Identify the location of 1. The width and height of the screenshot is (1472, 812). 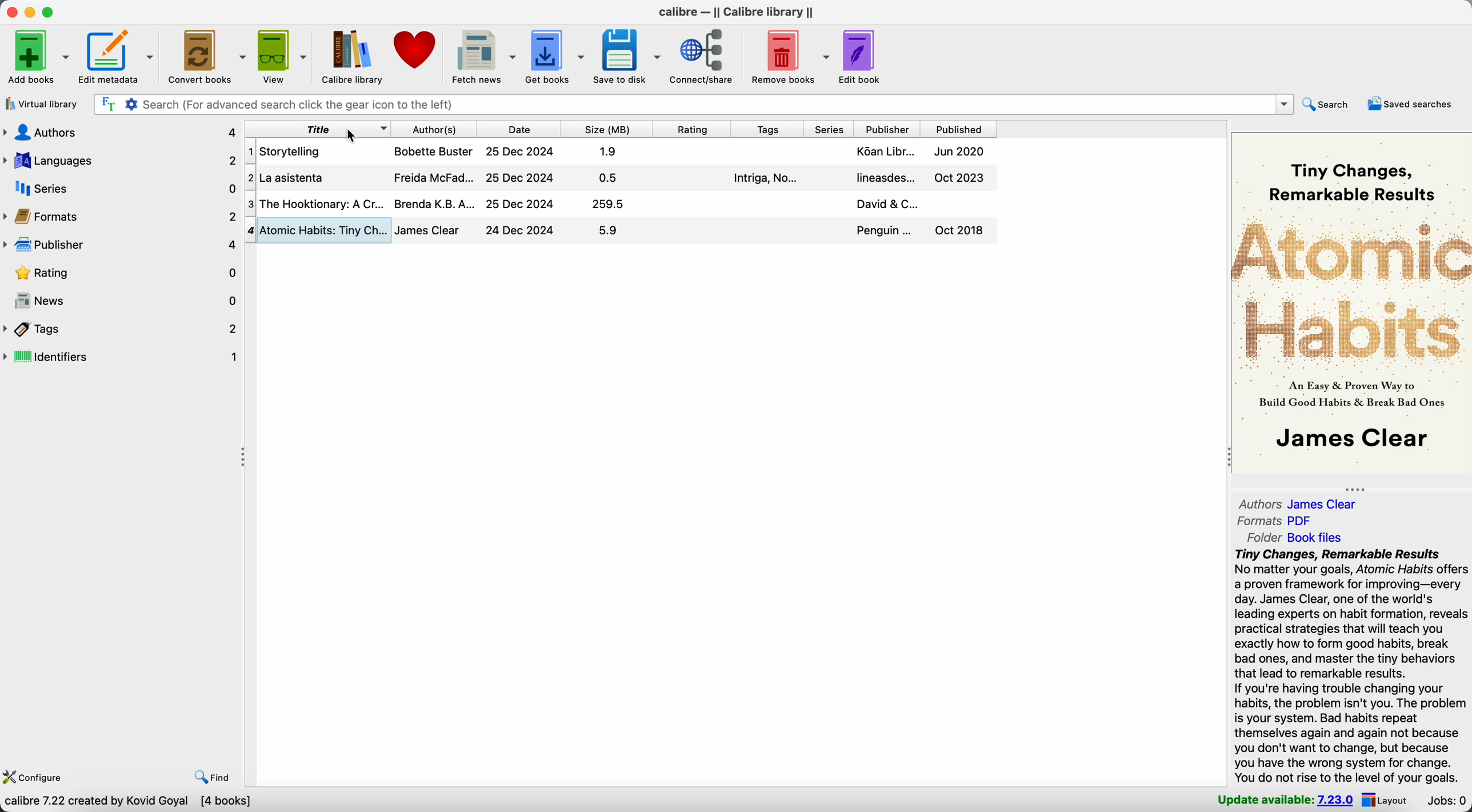
(250, 151).